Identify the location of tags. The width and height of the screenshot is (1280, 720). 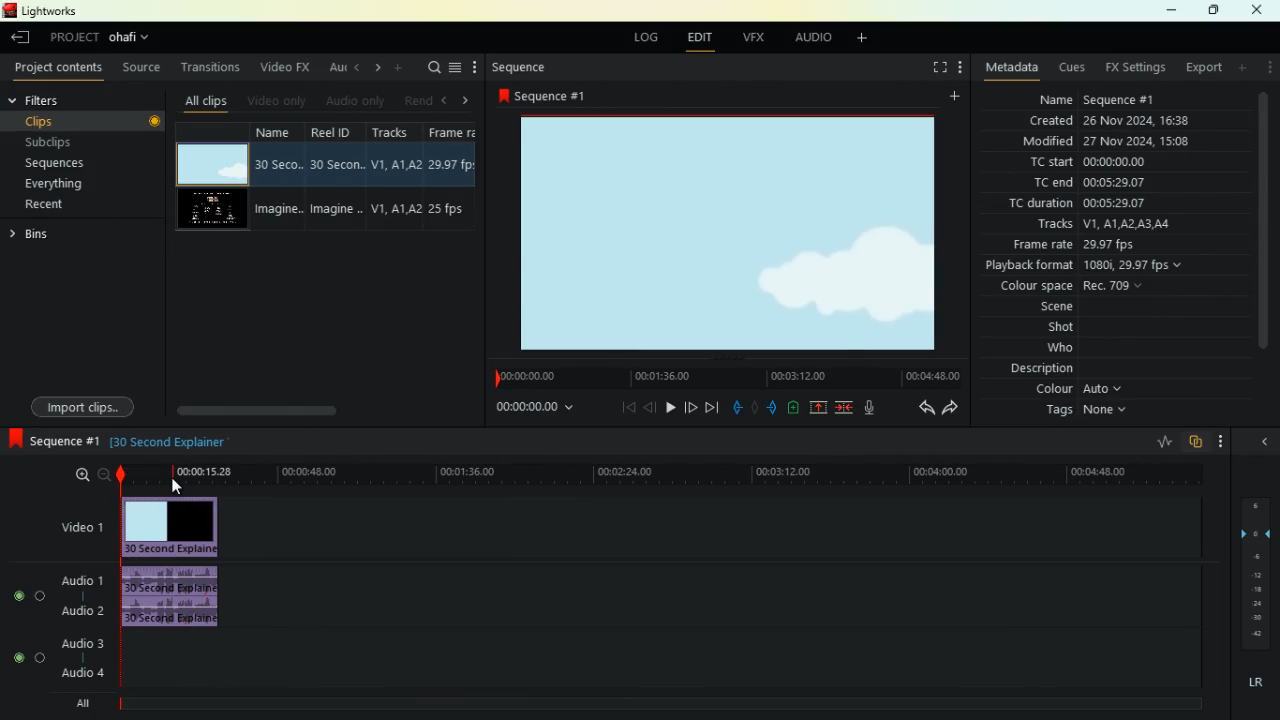
(1081, 413).